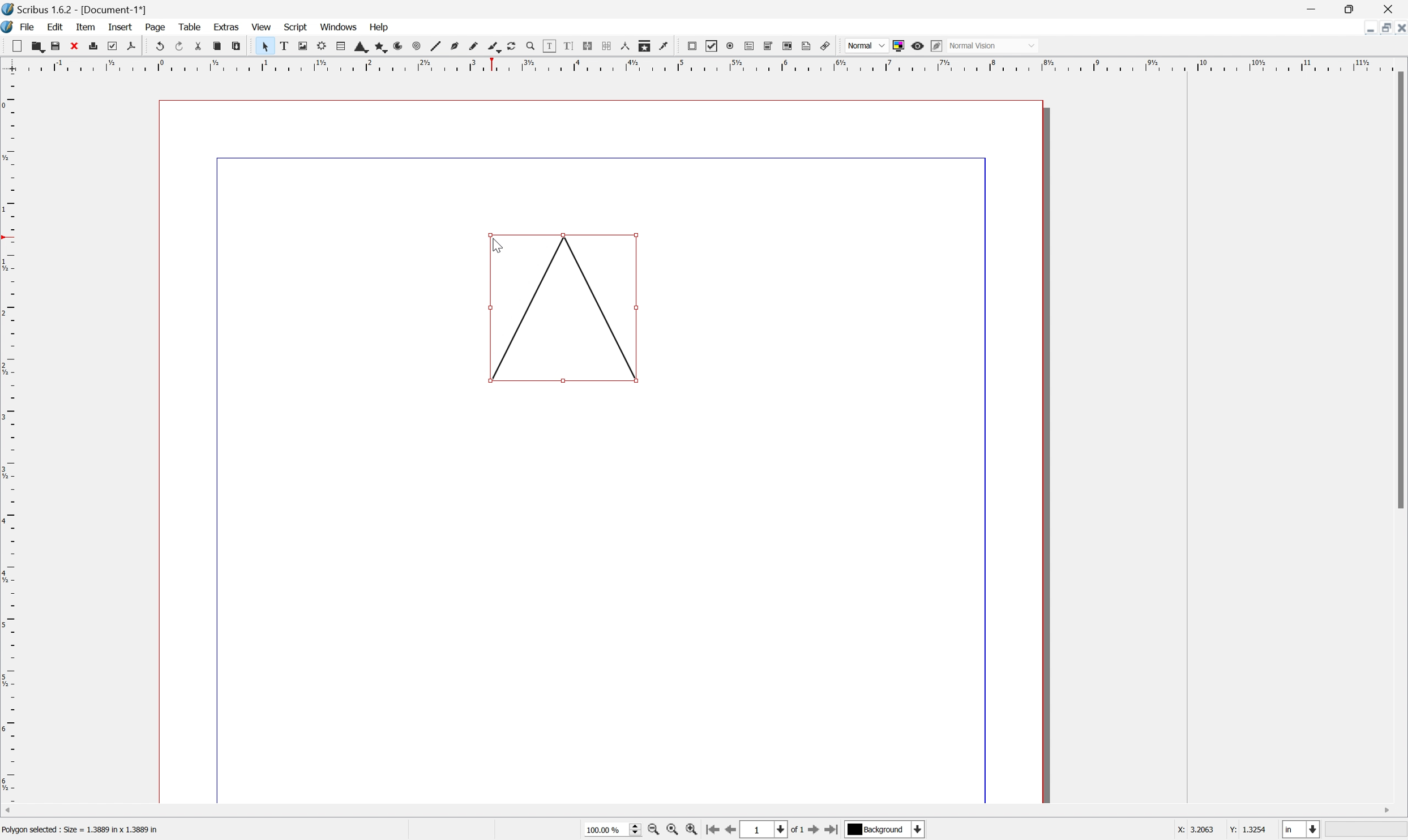 The height and width of the screenshot is (840, 1408). Describe the element at coordinates (1303, 829) in the screenshot. I see `Select current unit` at that location.